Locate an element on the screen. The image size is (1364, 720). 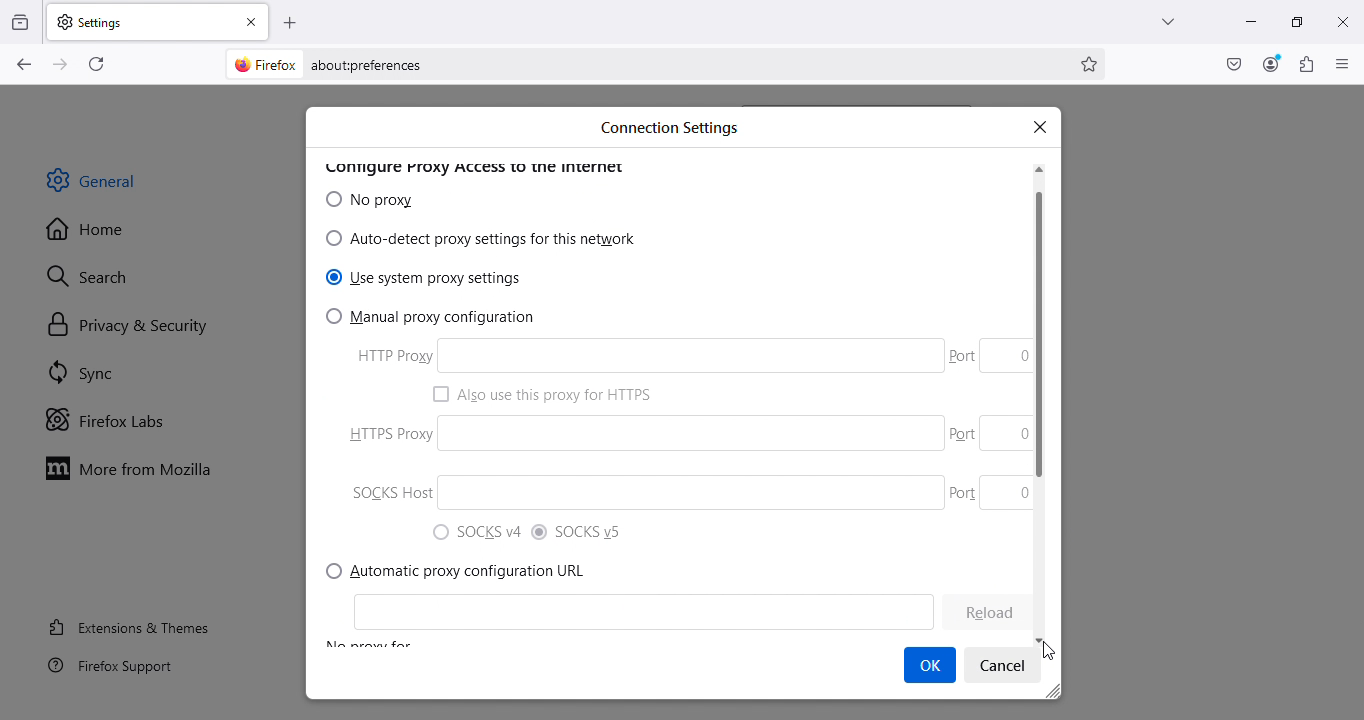
Cursor is located at coordinates (928, 665).